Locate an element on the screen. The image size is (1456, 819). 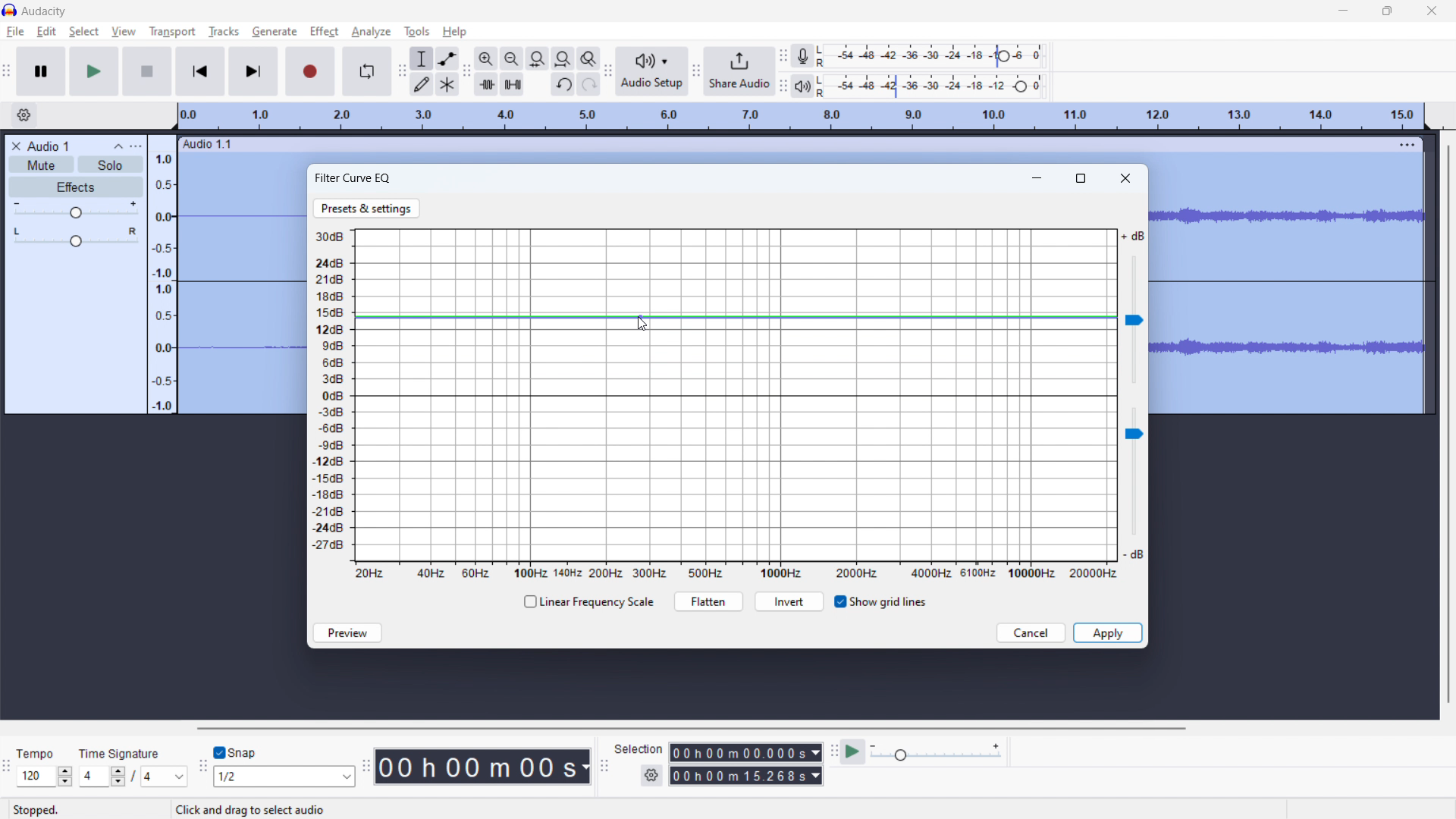
playback speed is located at coordinates (937, 753).